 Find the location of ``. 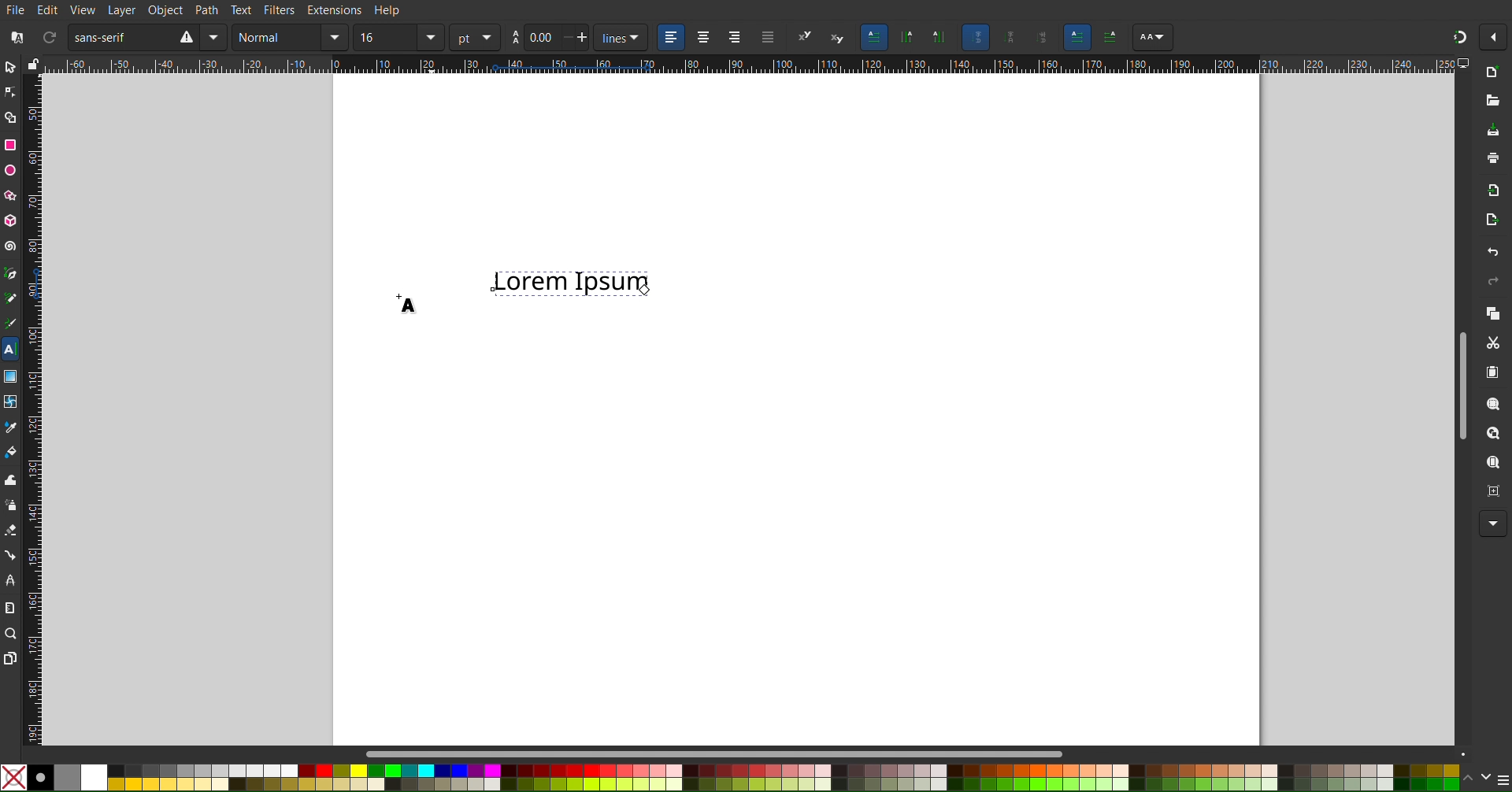

 is located at coordinates (1077, 38).